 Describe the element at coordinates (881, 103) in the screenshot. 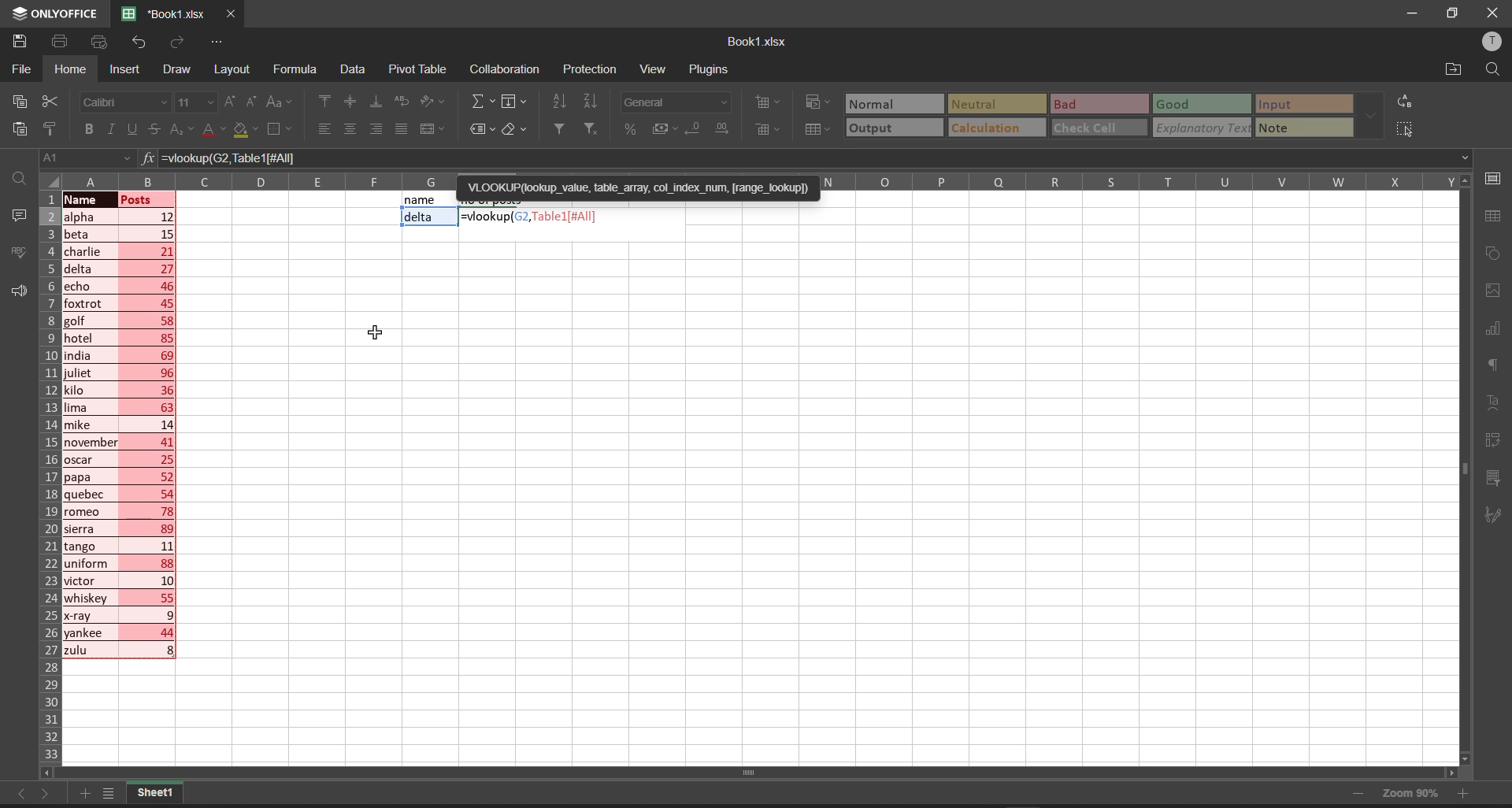

I see `Normal` at that location.